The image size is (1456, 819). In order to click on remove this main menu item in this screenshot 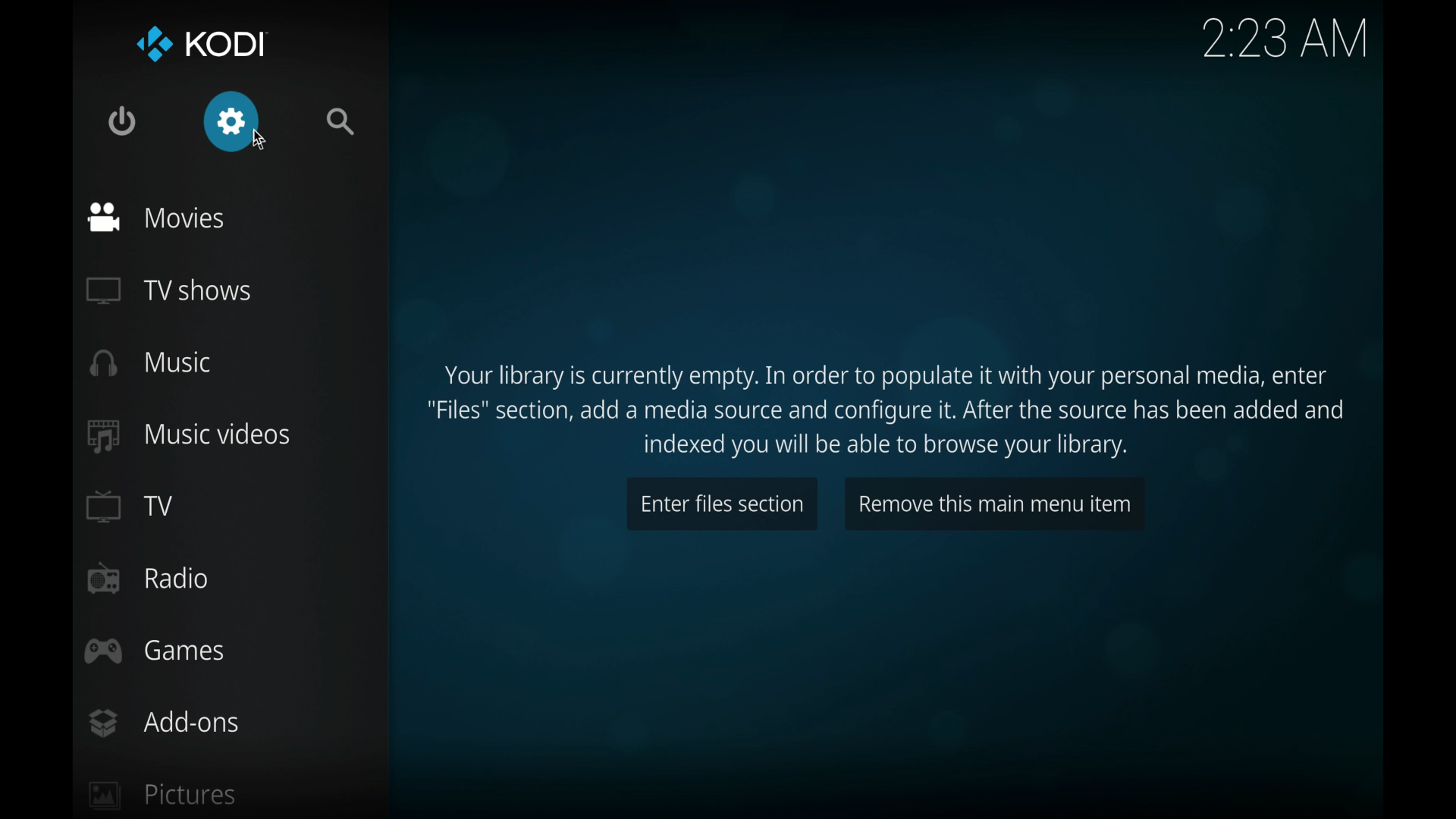, I will do `click(995, 504)`.